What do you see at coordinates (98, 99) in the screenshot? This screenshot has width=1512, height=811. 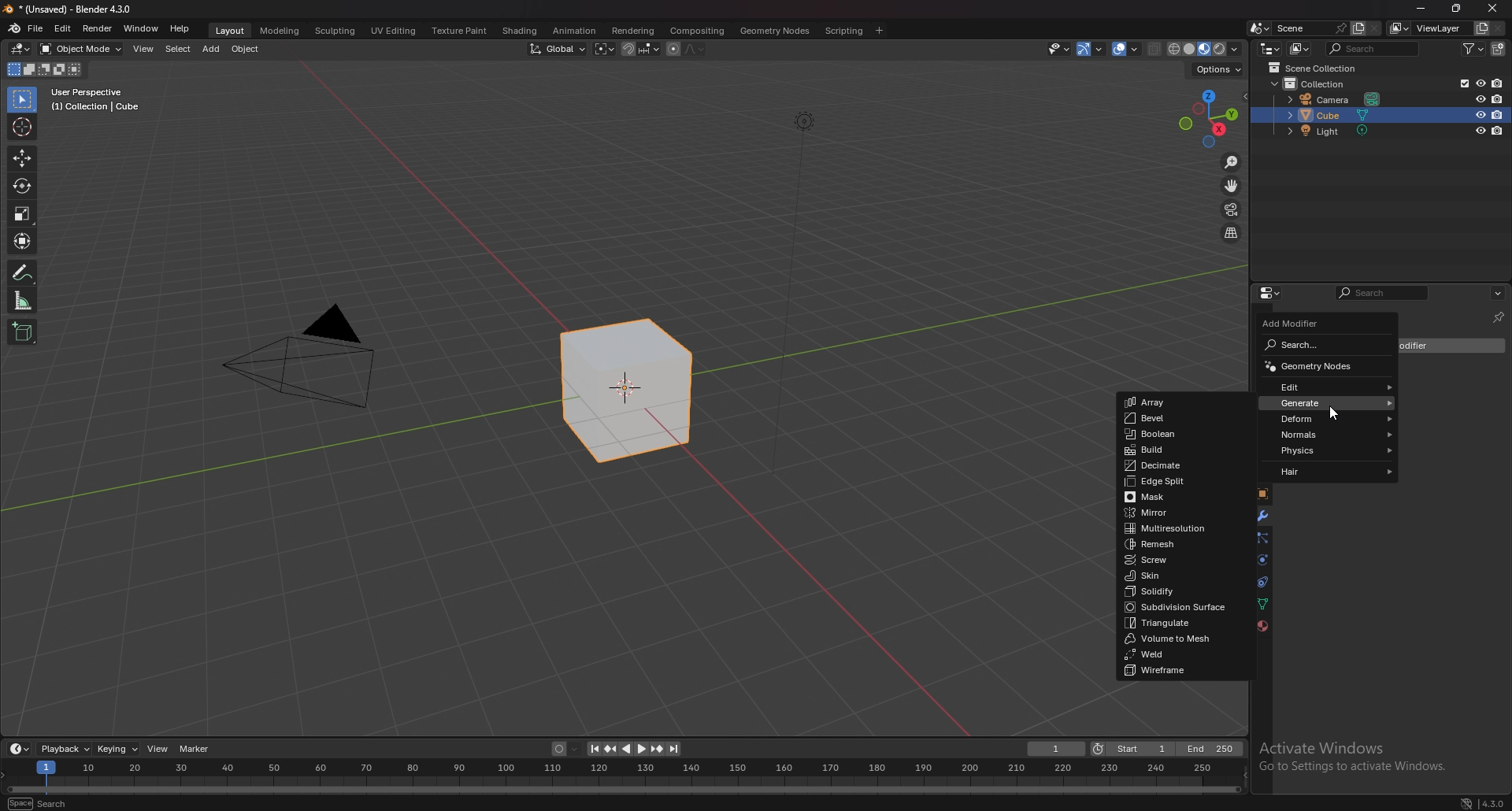 I see `info` at bounding box center [98, 99].